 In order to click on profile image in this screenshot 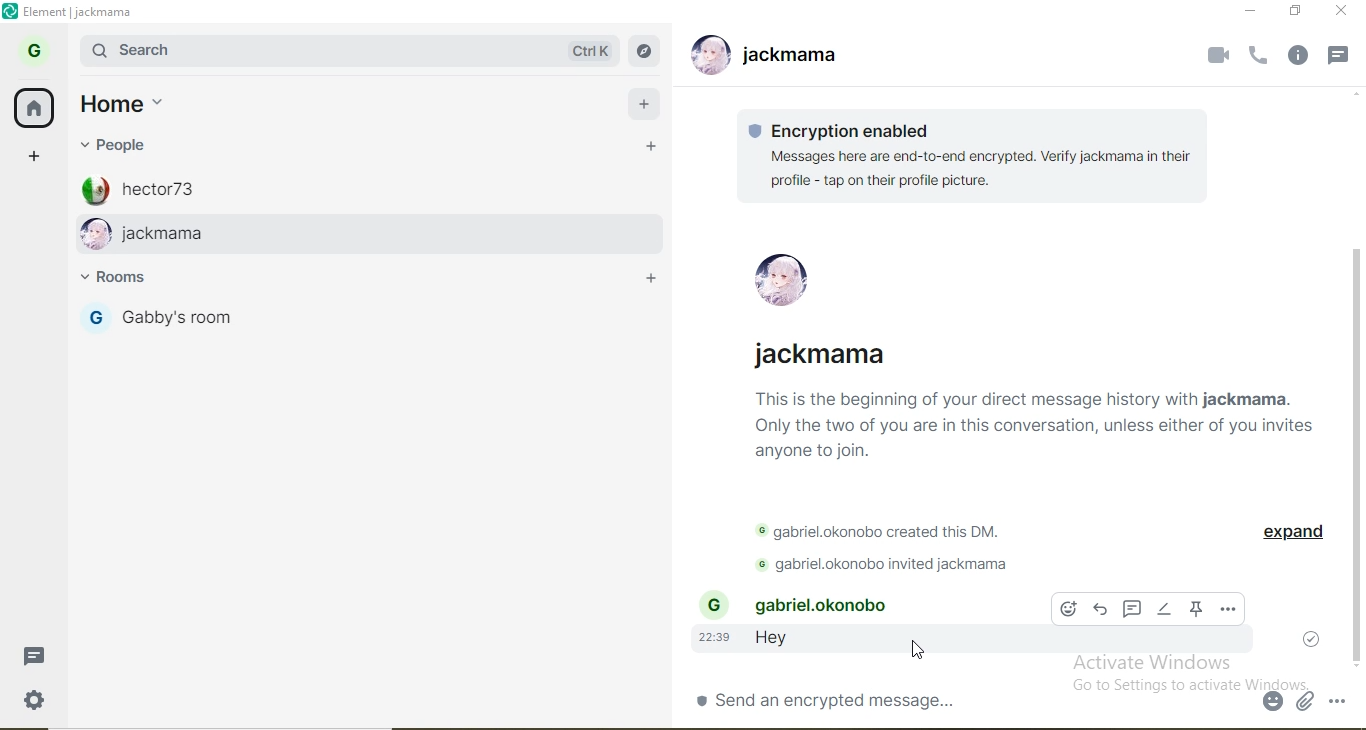, I will do `click(94, 235)`.